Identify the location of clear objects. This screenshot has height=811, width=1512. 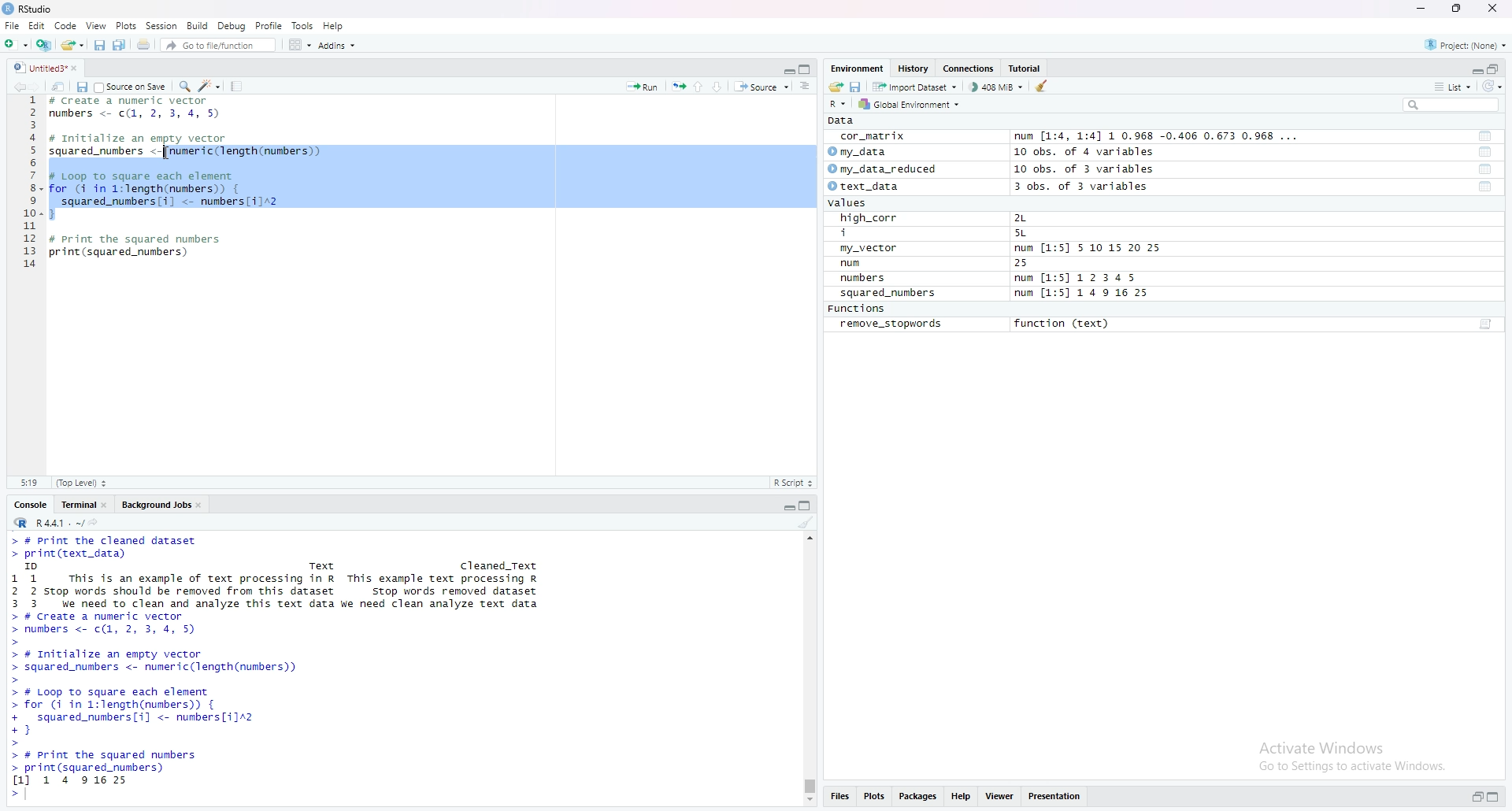
(1043, 86).